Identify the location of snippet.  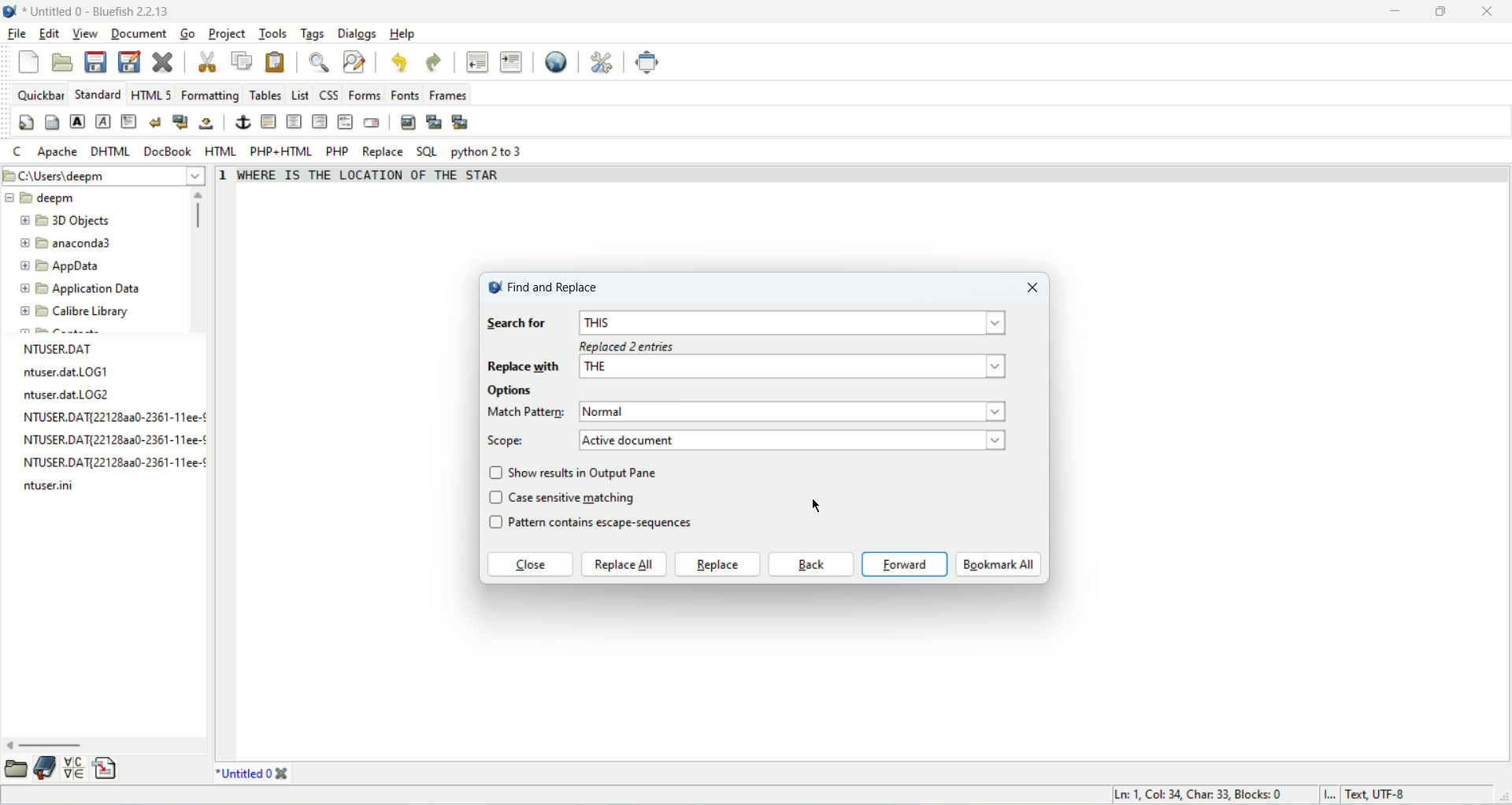
(103, 769).